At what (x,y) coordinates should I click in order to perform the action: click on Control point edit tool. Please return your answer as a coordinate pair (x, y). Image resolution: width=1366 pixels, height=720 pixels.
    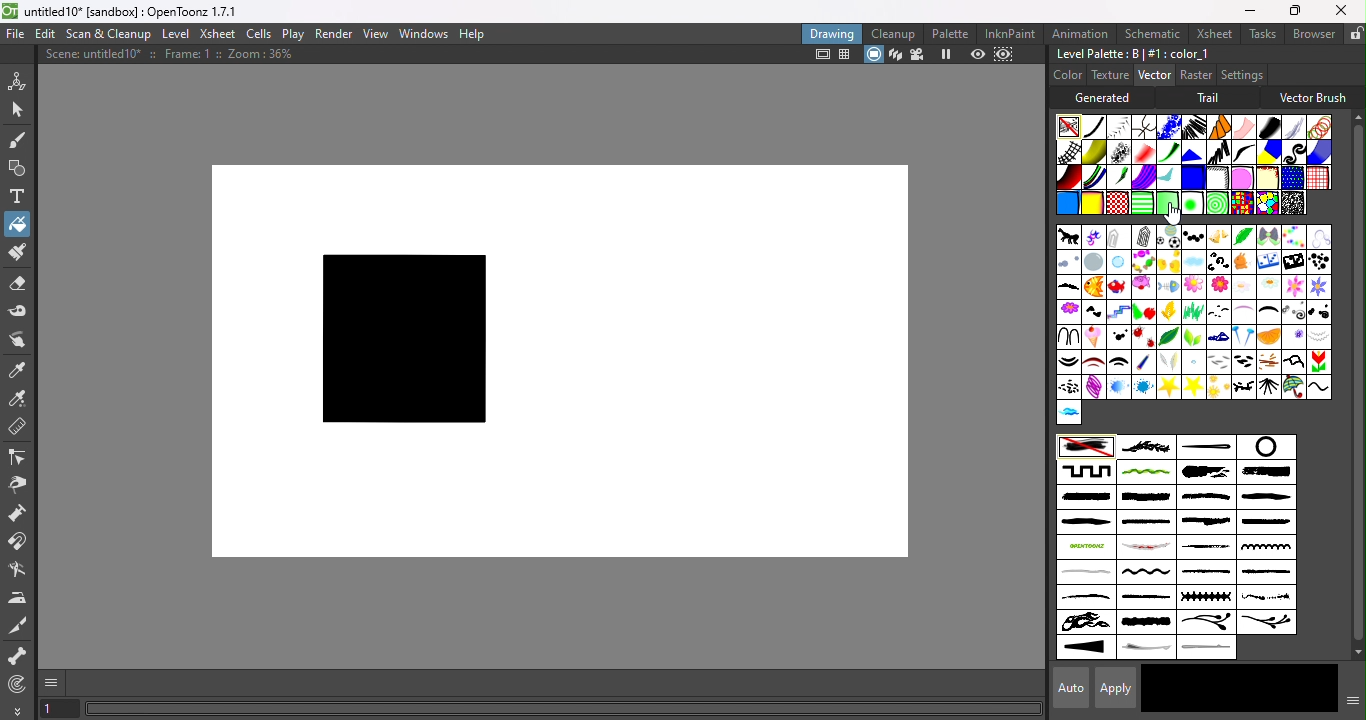
    Looking at the image, I should click on (20, 456).